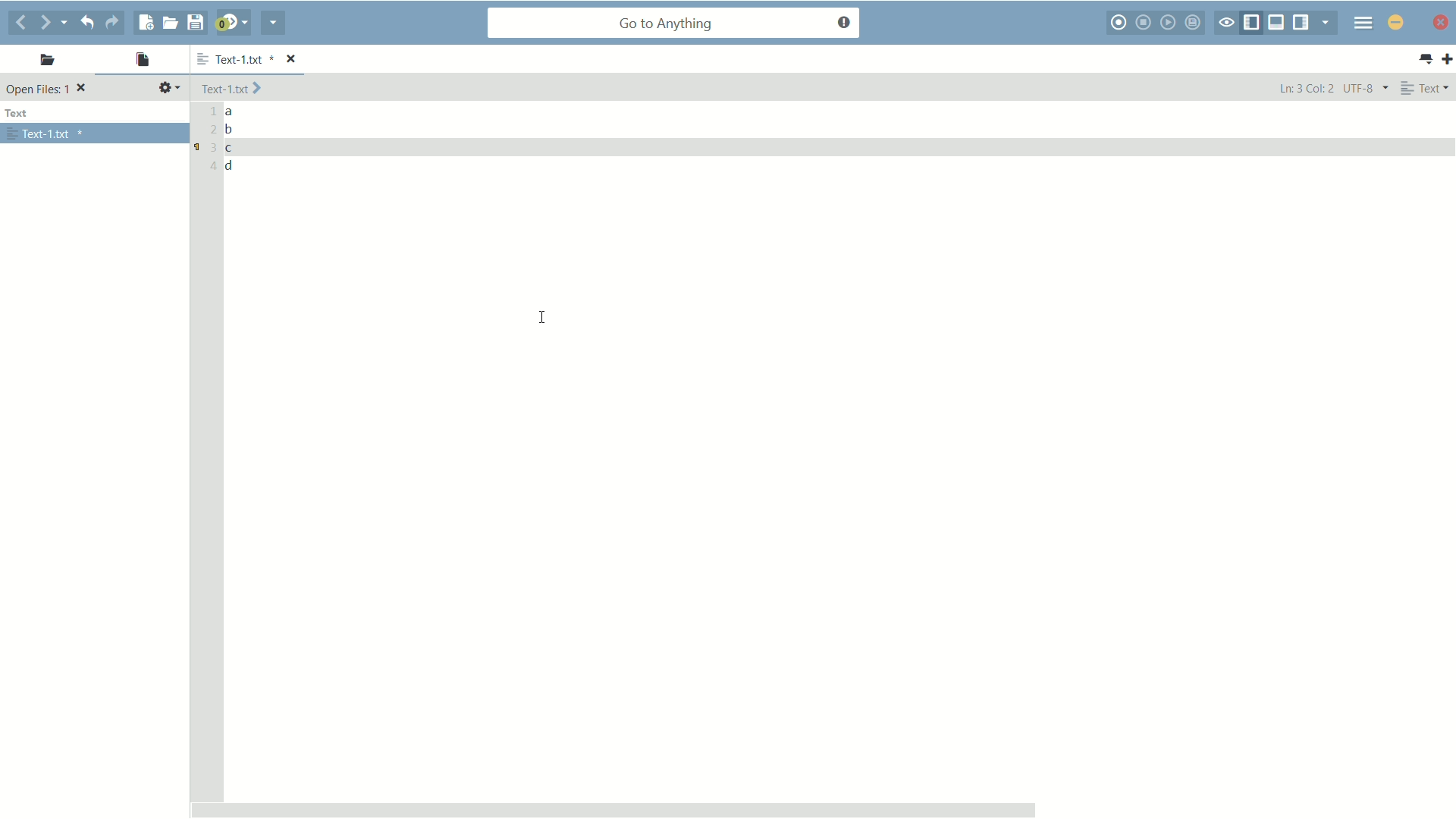 This screenshot has width=1456, height=819. What do you see at coordinates (272, 24) in the screenshot?
I see `share current file` at bounding box center [272, 24].